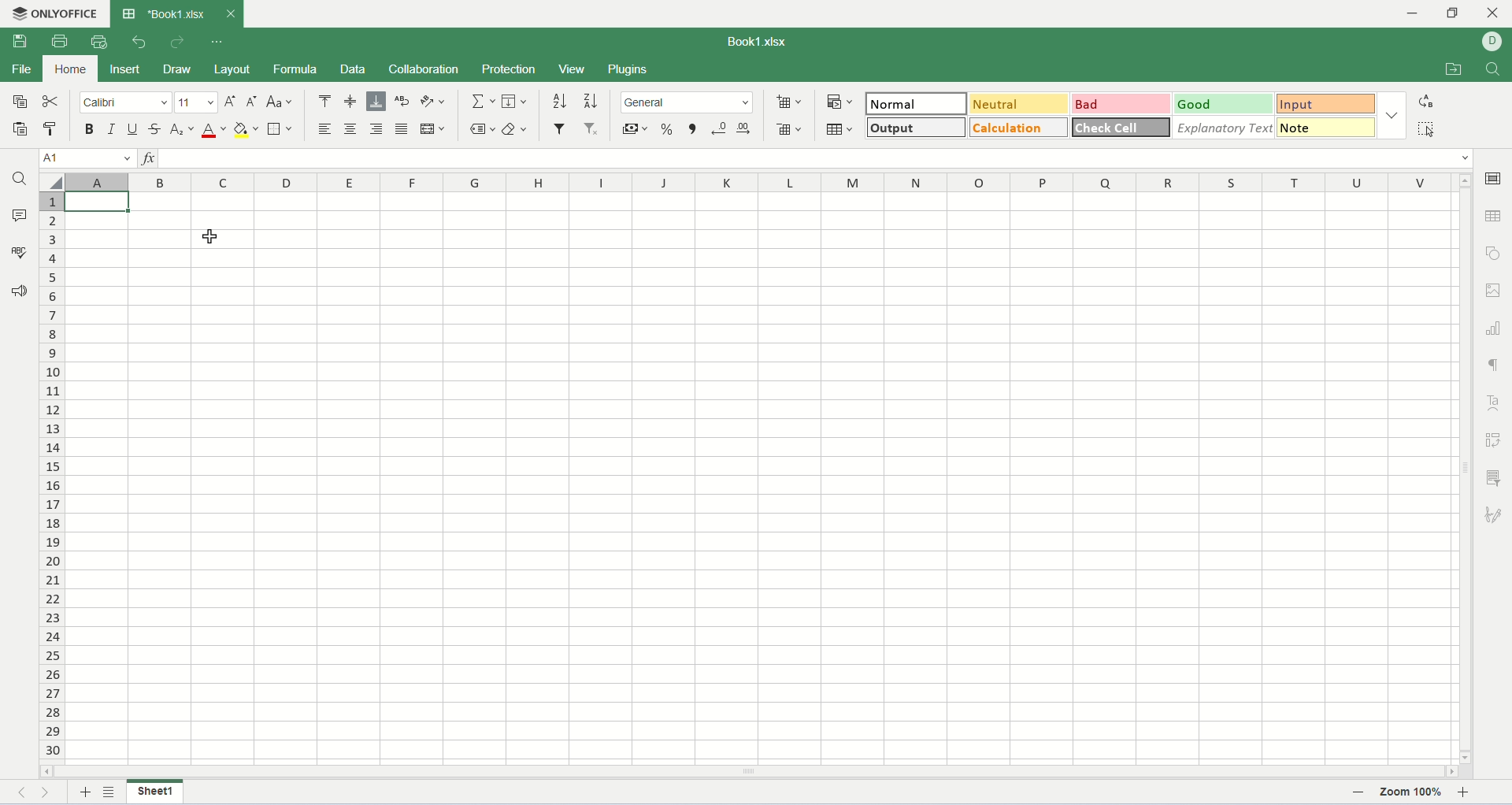  What do you see at coordinates (435, 100) in the screenshot?
I see `orientation` at bounding box center [435, 100].